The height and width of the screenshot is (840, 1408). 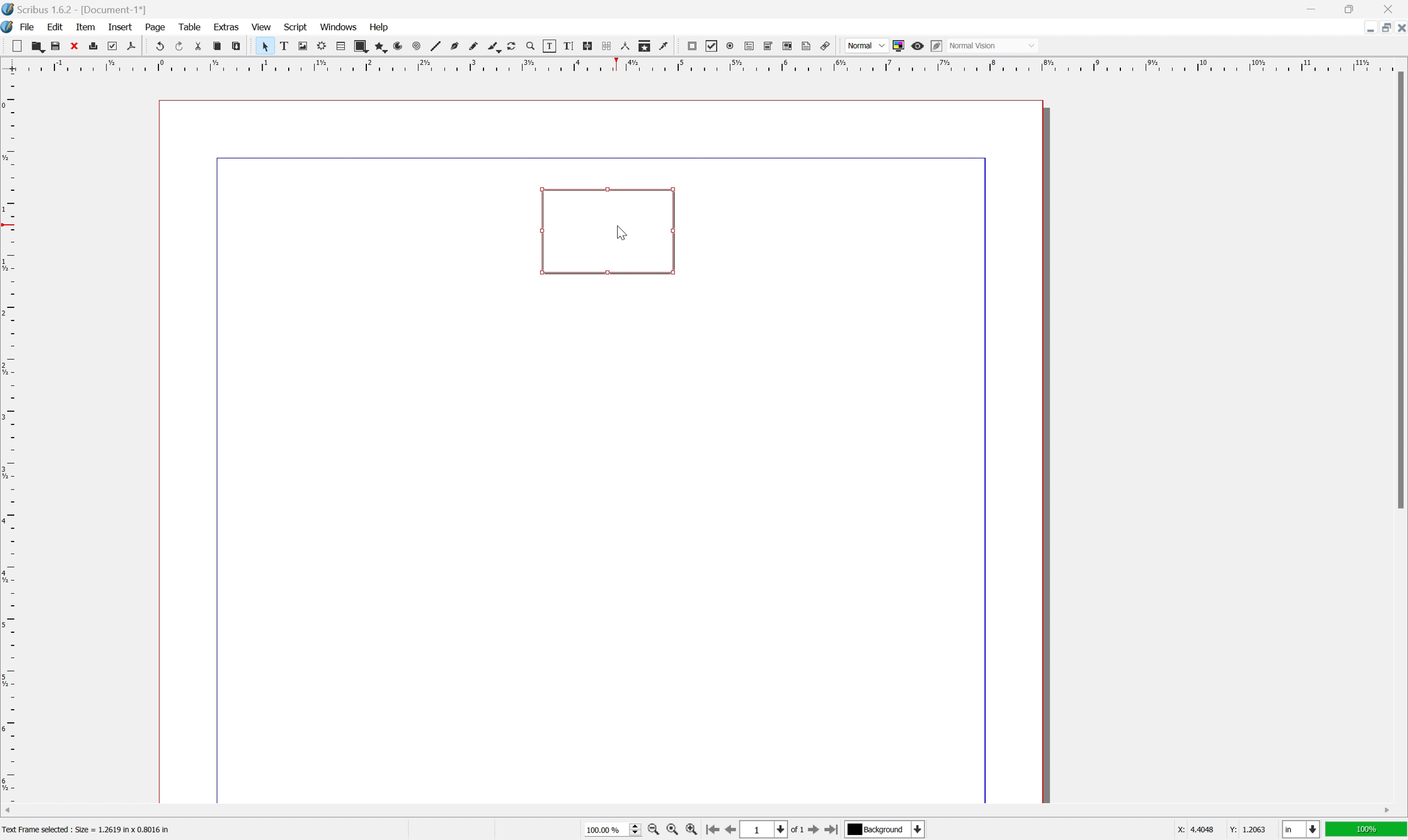 What do you see at coordinates (1316, 8) in the screenshot?
I see `minimize` at bounding box center [1316, 8].